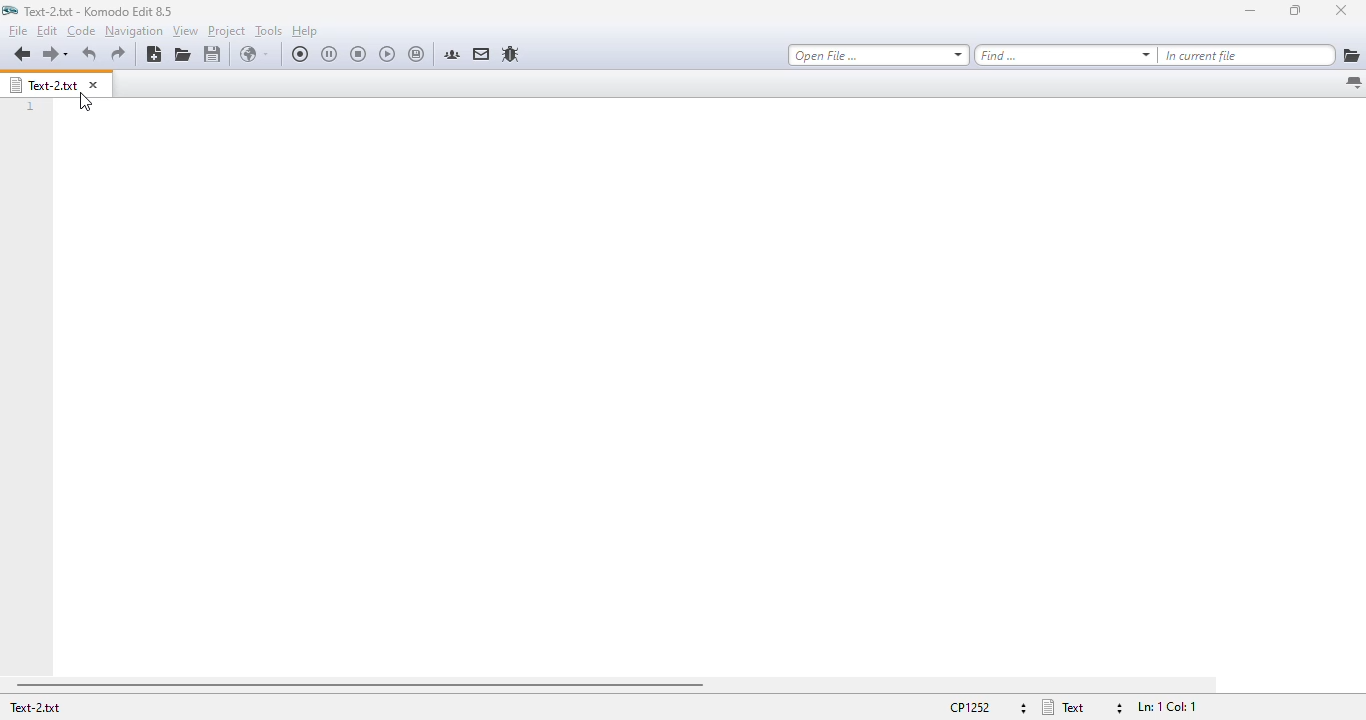  What do you see at coordinates (358, 53) in the screenshot?
I see `stop recording macro` at bounding box center [358, 53].